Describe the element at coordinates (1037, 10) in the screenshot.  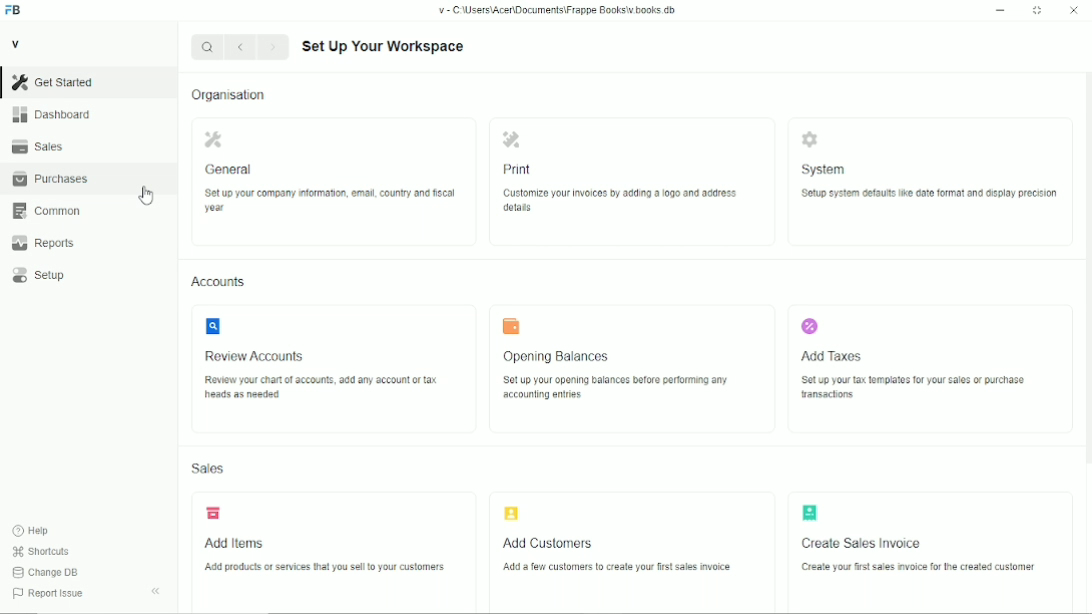
I see `Change dimension` at that location.